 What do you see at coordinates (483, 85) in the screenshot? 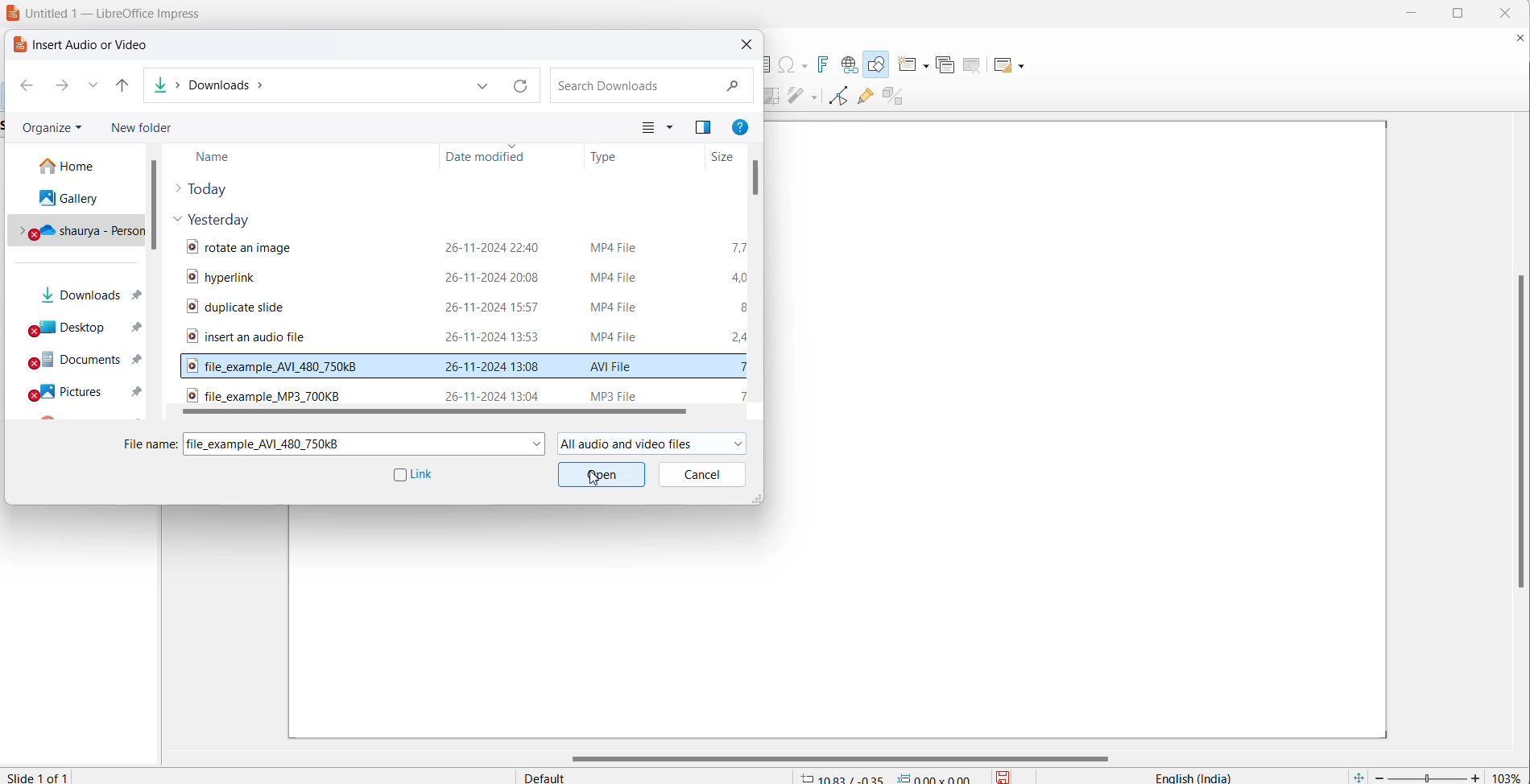
I see `path dropdown button` at bounding box center [483, 85].